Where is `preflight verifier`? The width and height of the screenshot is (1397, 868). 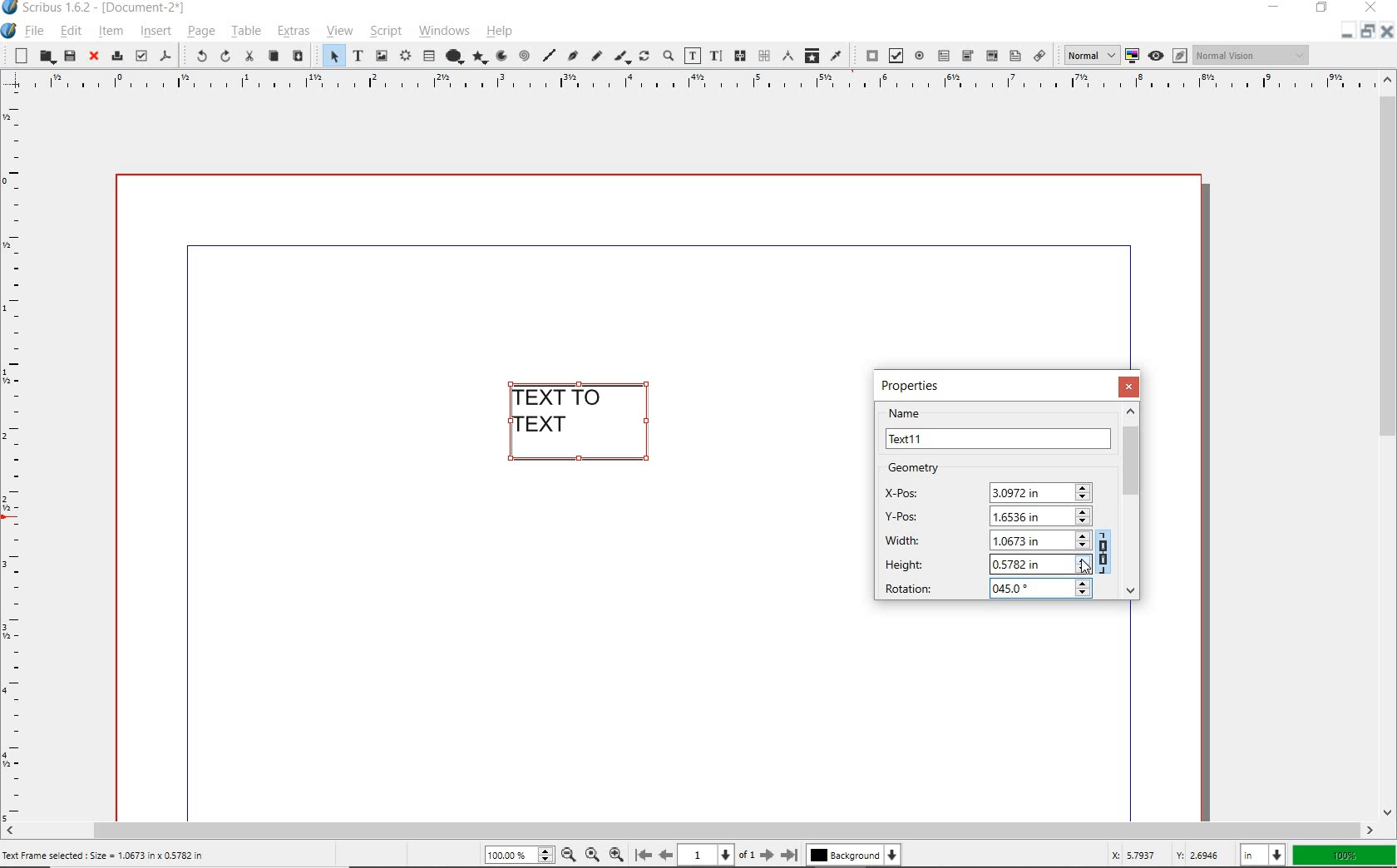 preflight verifier is located at coordinates (141, 57).